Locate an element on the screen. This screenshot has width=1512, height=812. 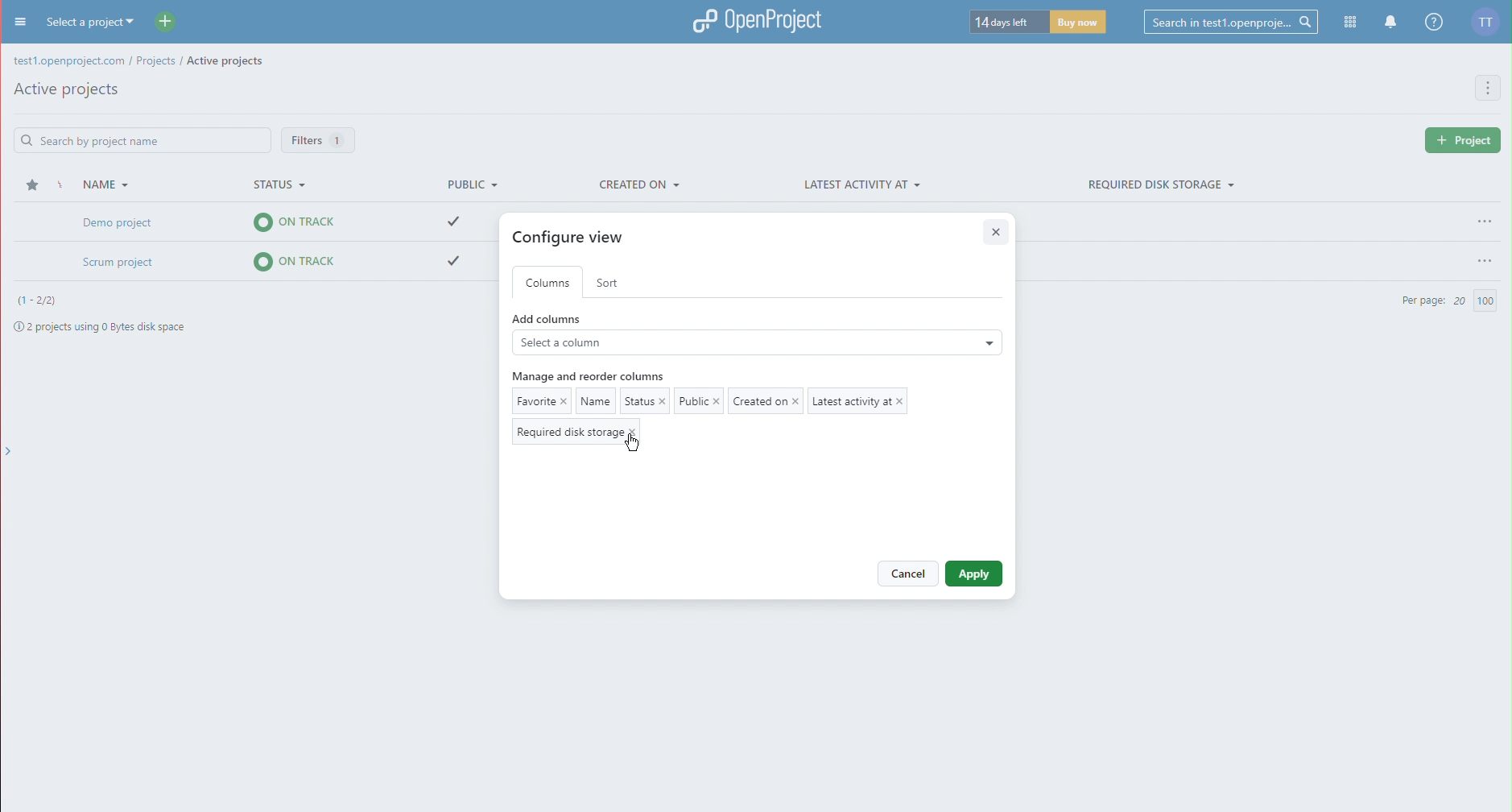
new project button is located at coordinates (1459, 141).